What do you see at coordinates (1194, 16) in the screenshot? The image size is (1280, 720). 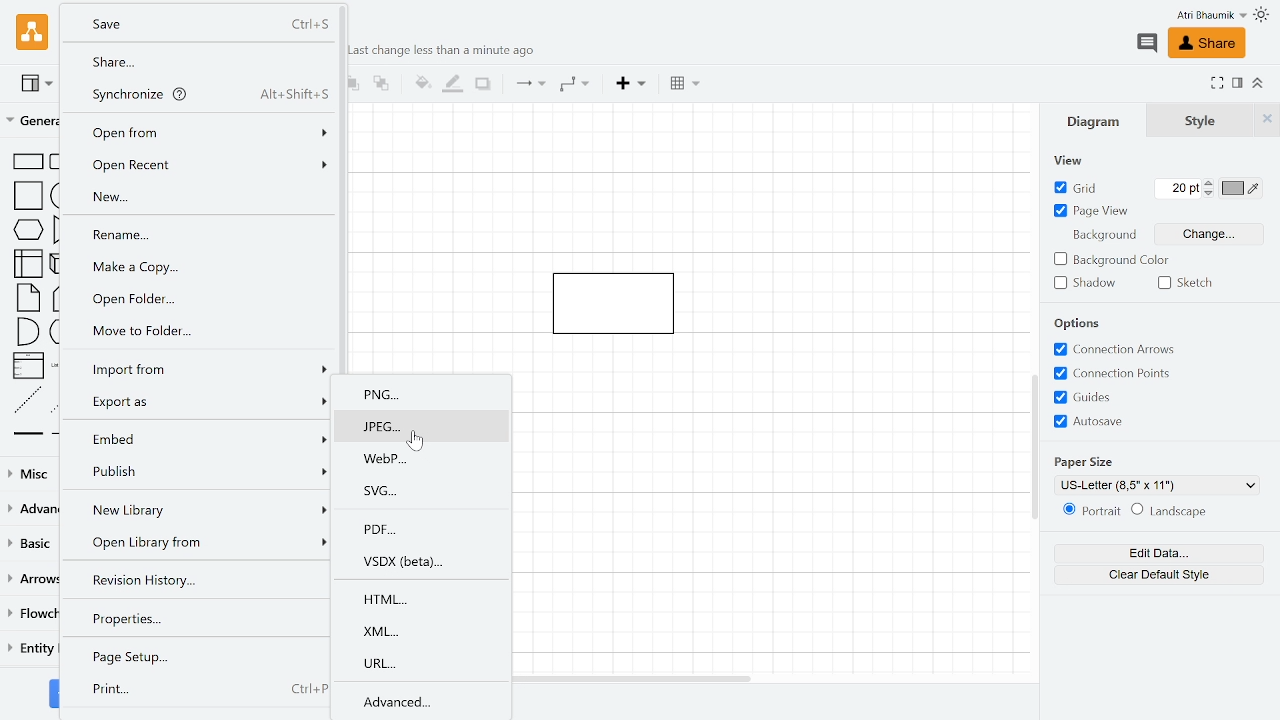 I see `Profile` at bounding box center [1194, 16].